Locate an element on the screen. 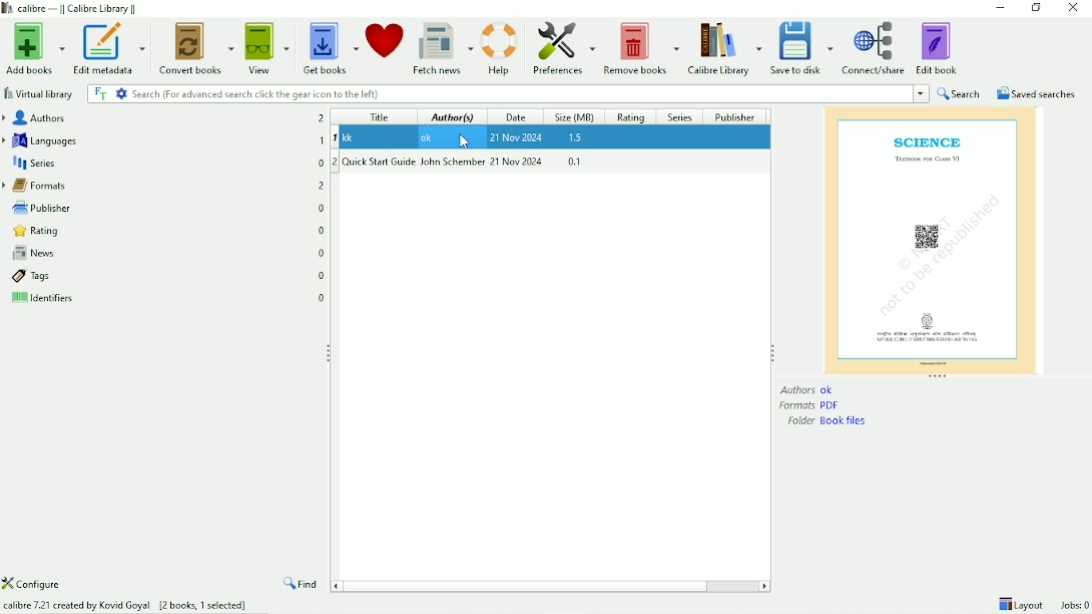  Quick Start Guide is located at coordinates (550, 162).